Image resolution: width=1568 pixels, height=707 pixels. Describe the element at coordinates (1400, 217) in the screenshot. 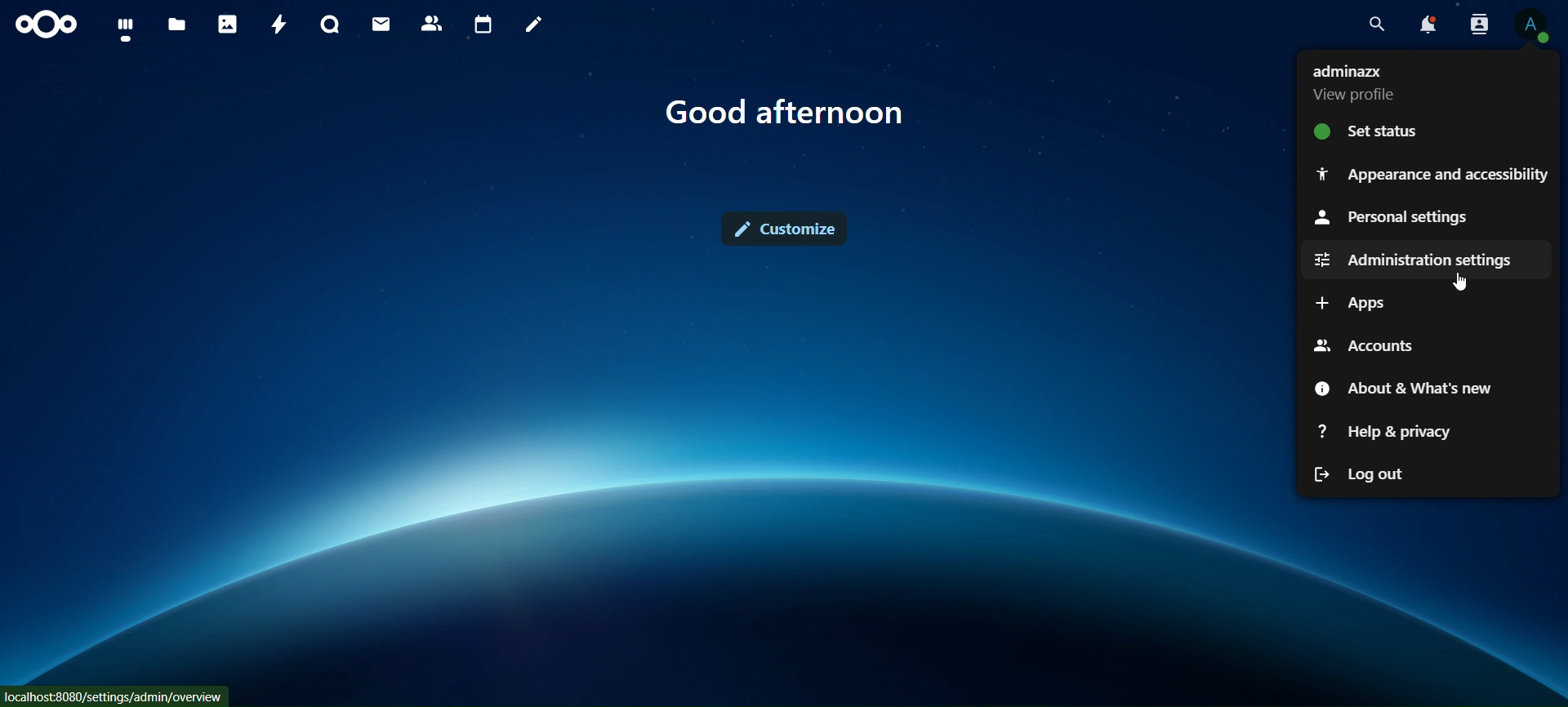

I see `personalsettings` at that location.